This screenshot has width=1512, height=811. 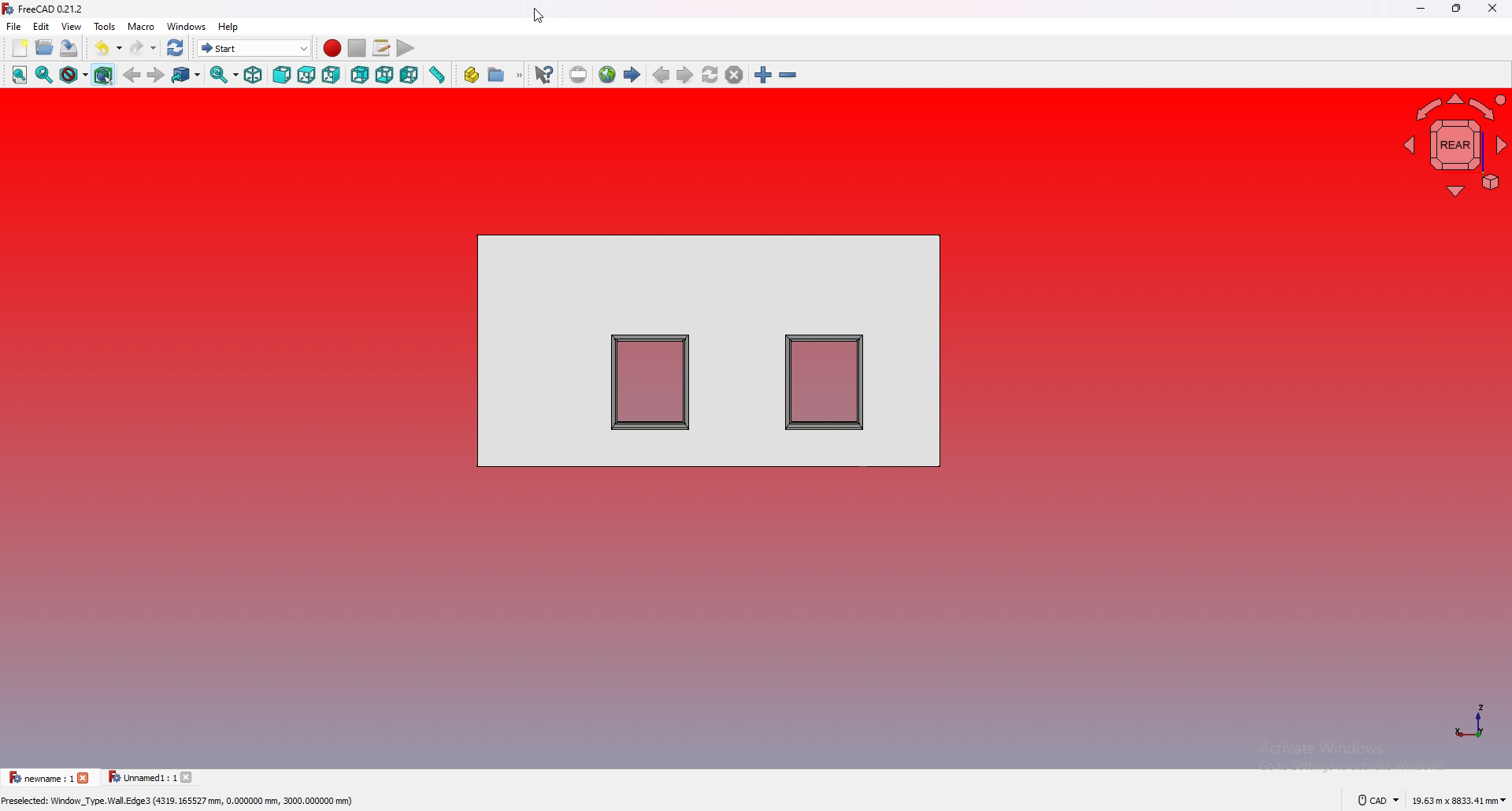 I want to click on what's that, so click(x=543, y=75).